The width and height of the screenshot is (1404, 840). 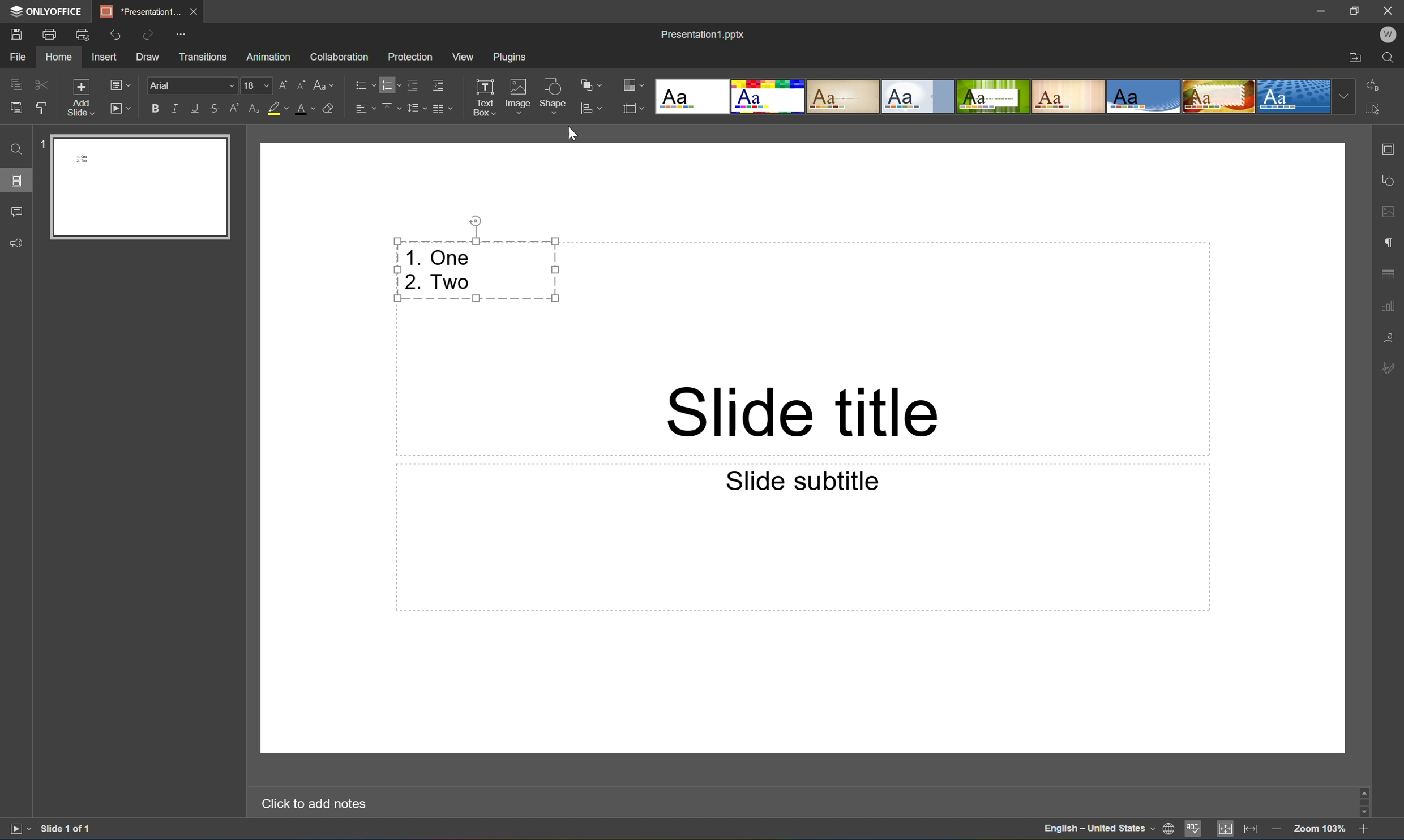 I want to click on Minimize, so click(x=1321, y=10).